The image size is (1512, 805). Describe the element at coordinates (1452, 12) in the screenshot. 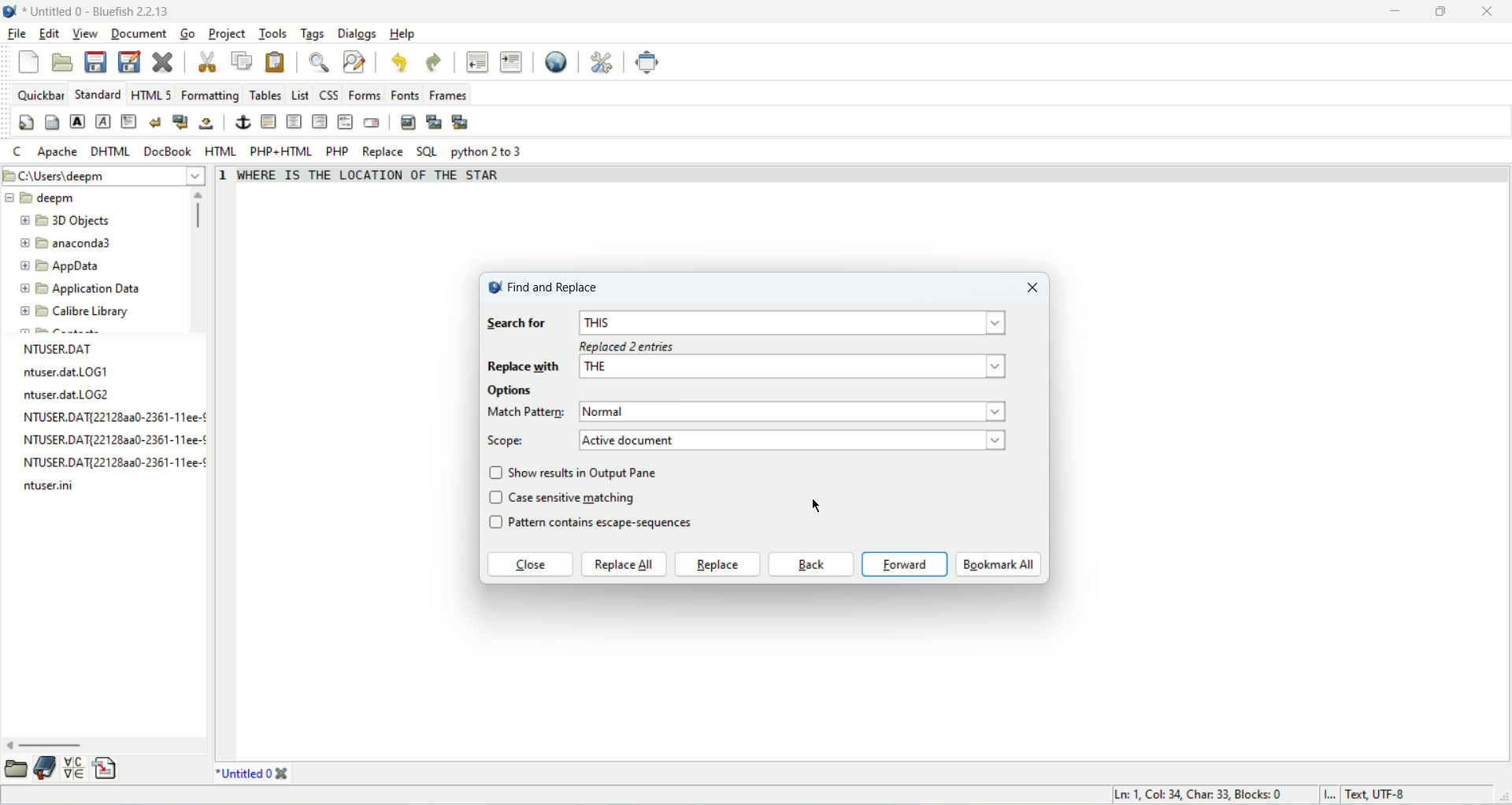

I see `maximize` at that location.